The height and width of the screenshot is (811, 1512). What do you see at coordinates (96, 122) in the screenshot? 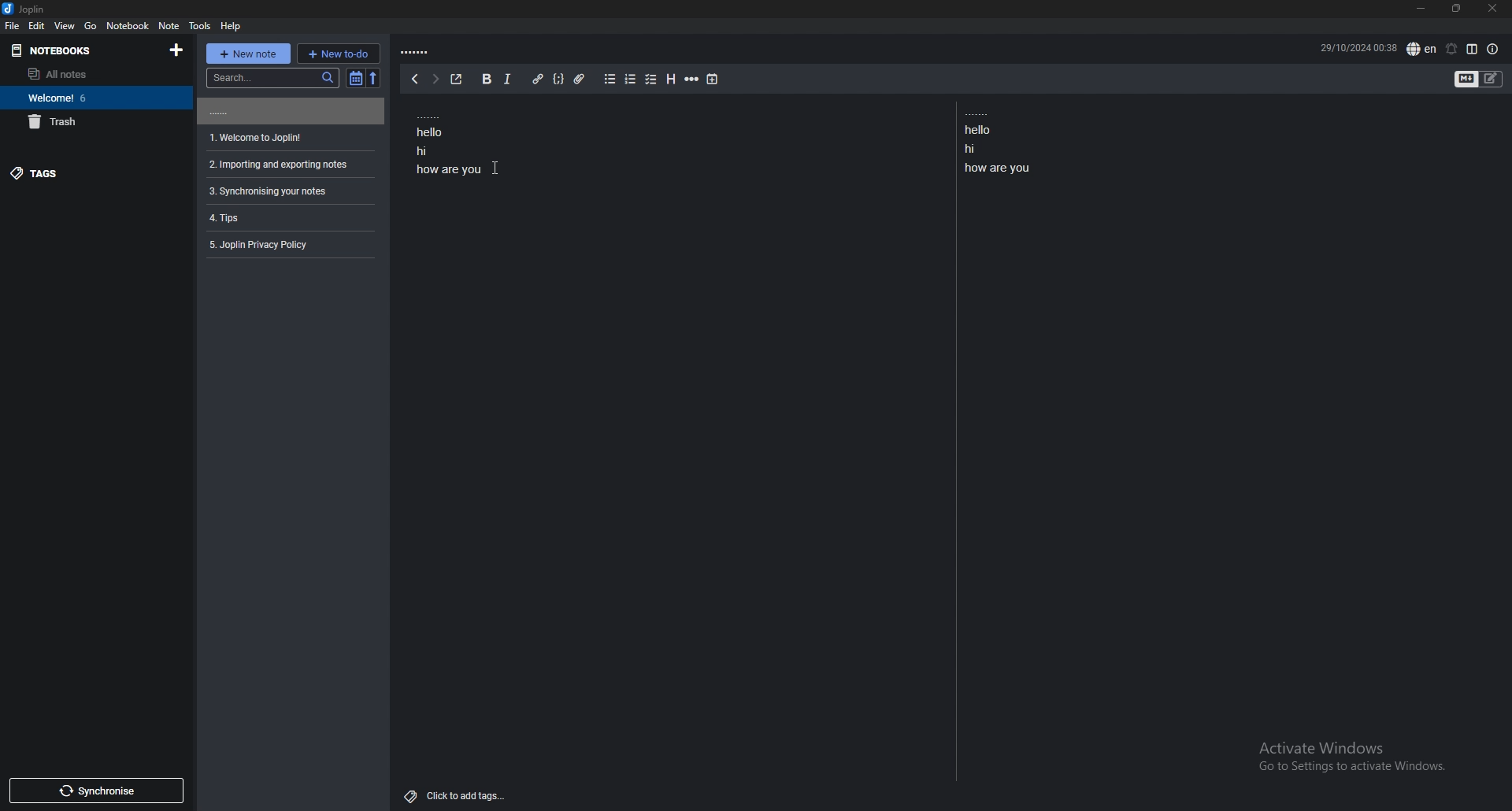
I see `trash` at bounding box center [96, 122].